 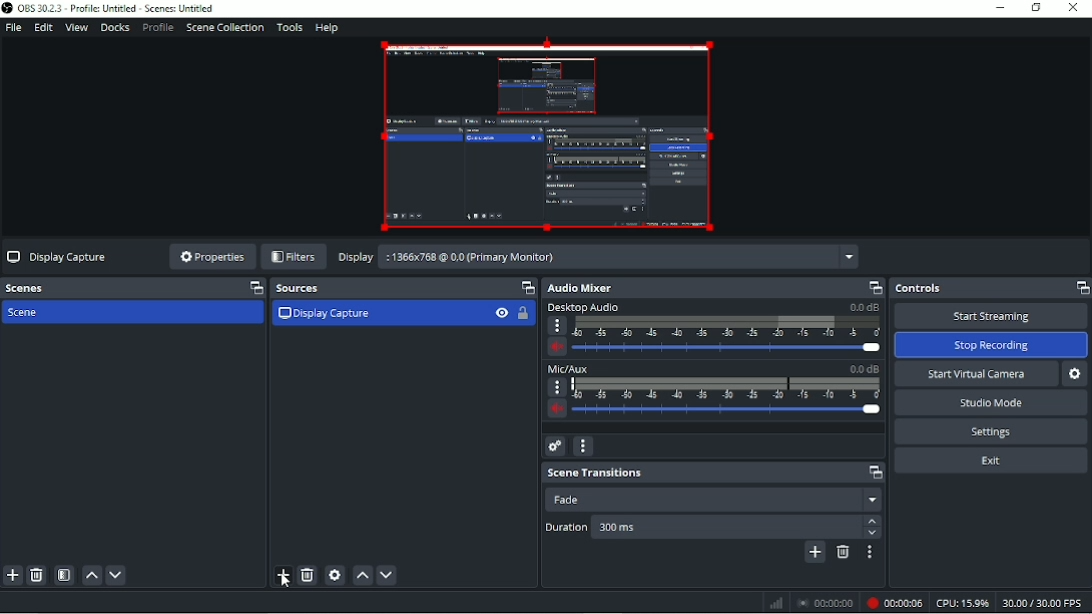 I want to click on Mic/AUX slider, so click(x=714, y=393).